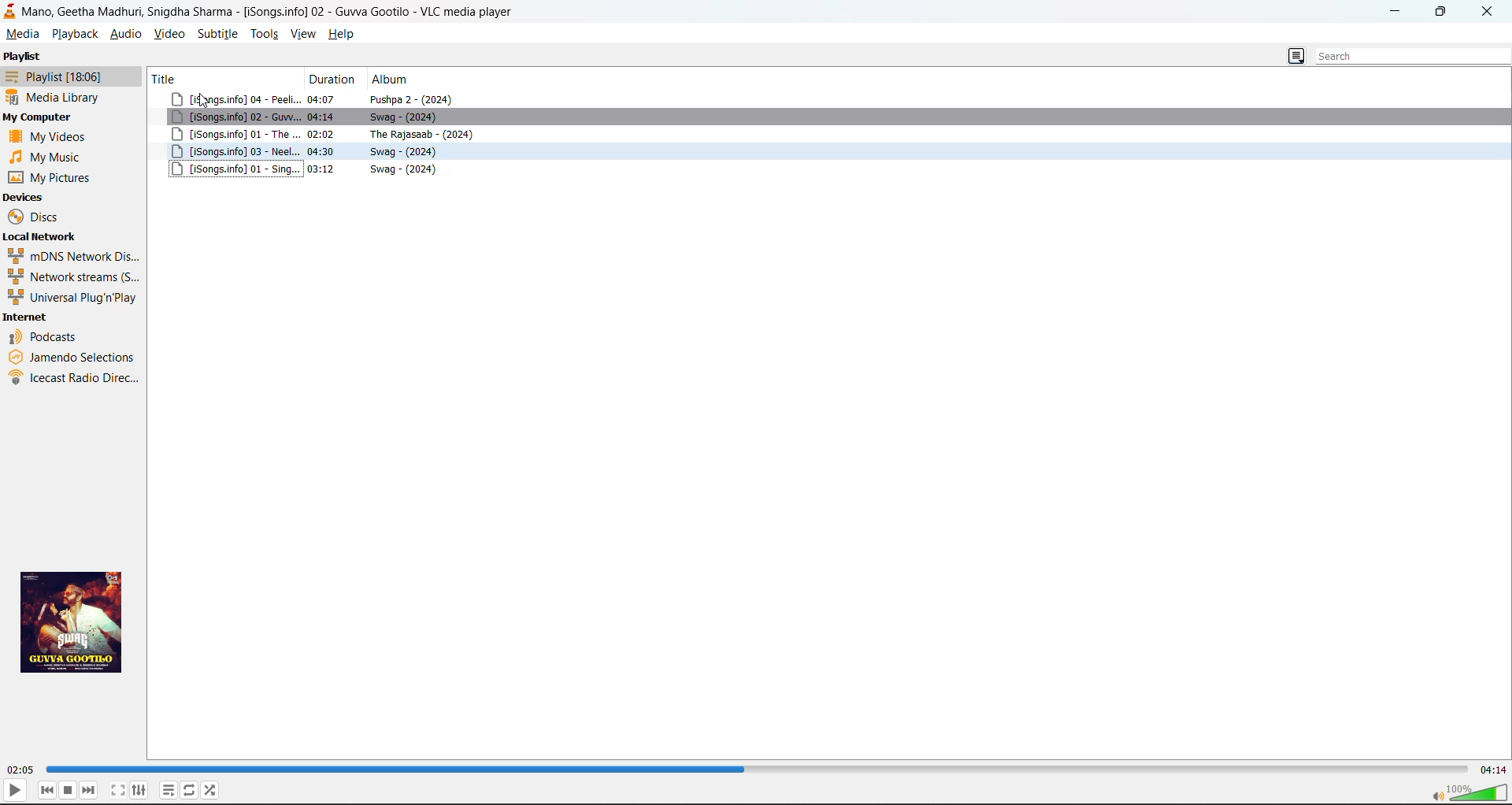  Describe the element at coordinates (190, 789) in the screenshot. I see `toggle loop` at that location.